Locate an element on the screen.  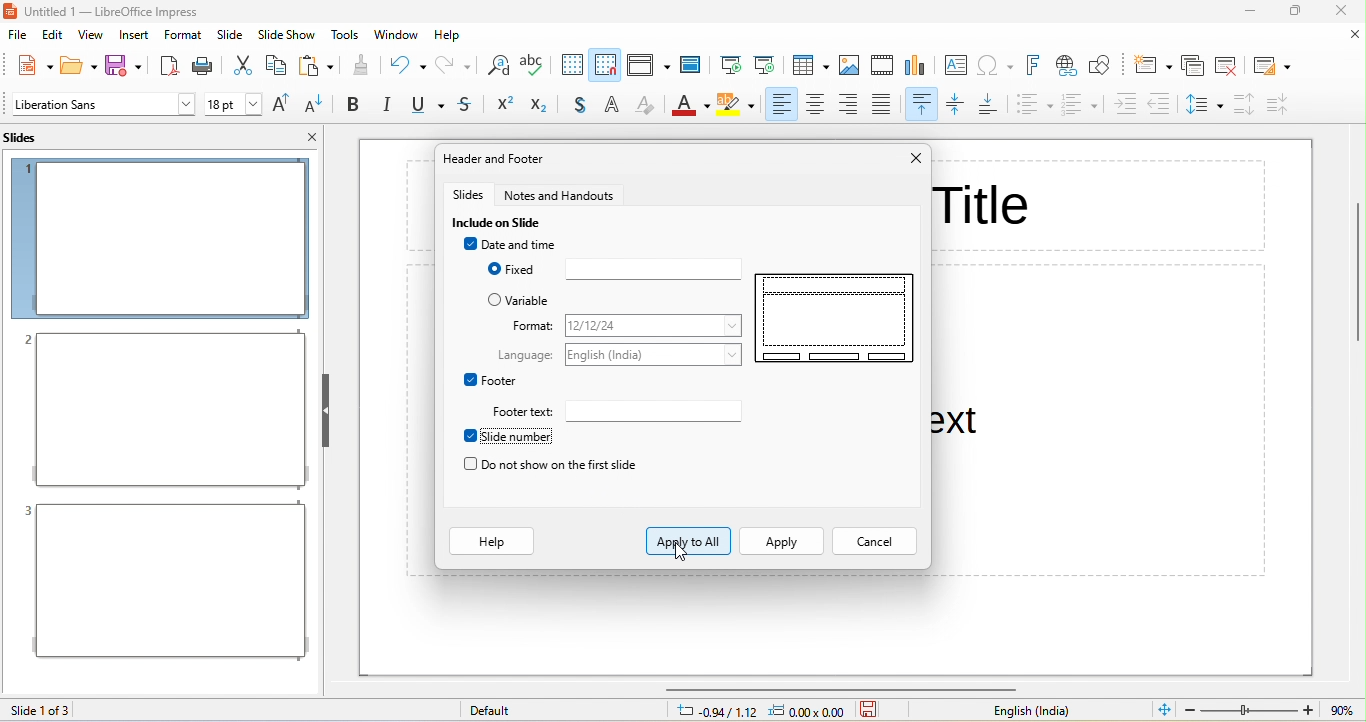
view is located at coordinates (90, 38).